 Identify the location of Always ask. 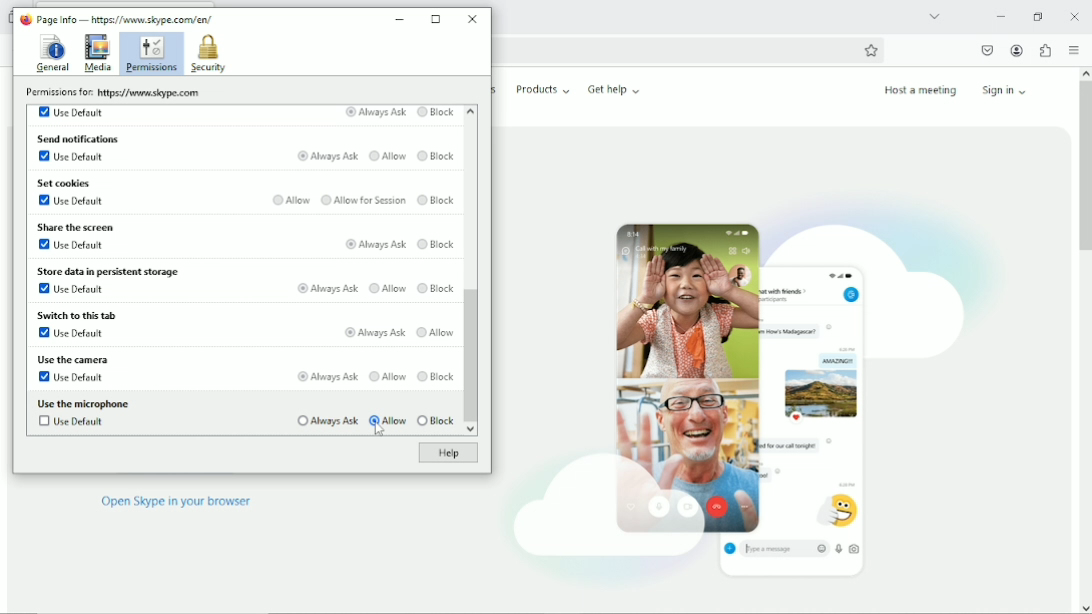
(324, 376).